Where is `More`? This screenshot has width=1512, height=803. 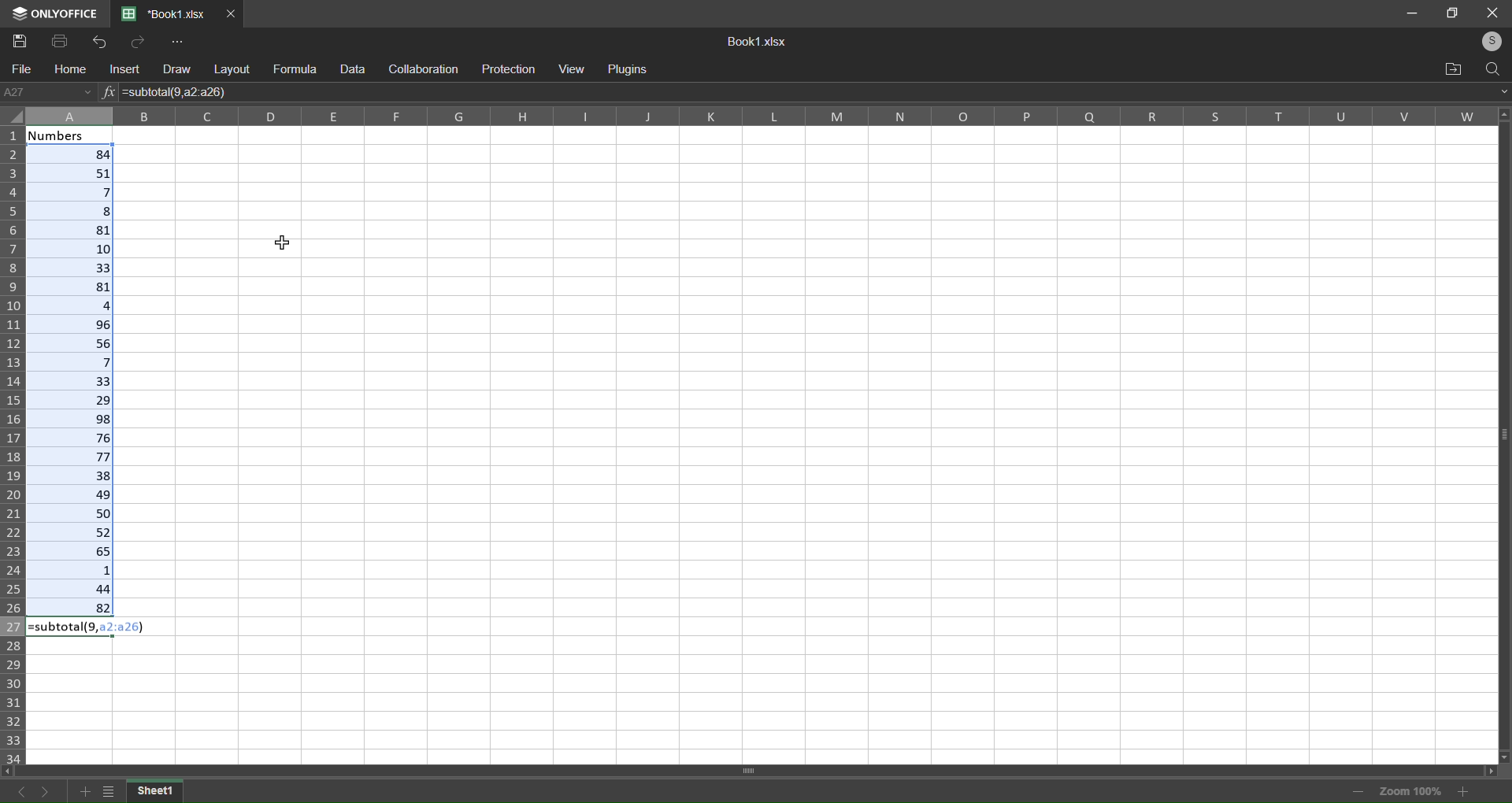 More is located at coordinates (180, 43).